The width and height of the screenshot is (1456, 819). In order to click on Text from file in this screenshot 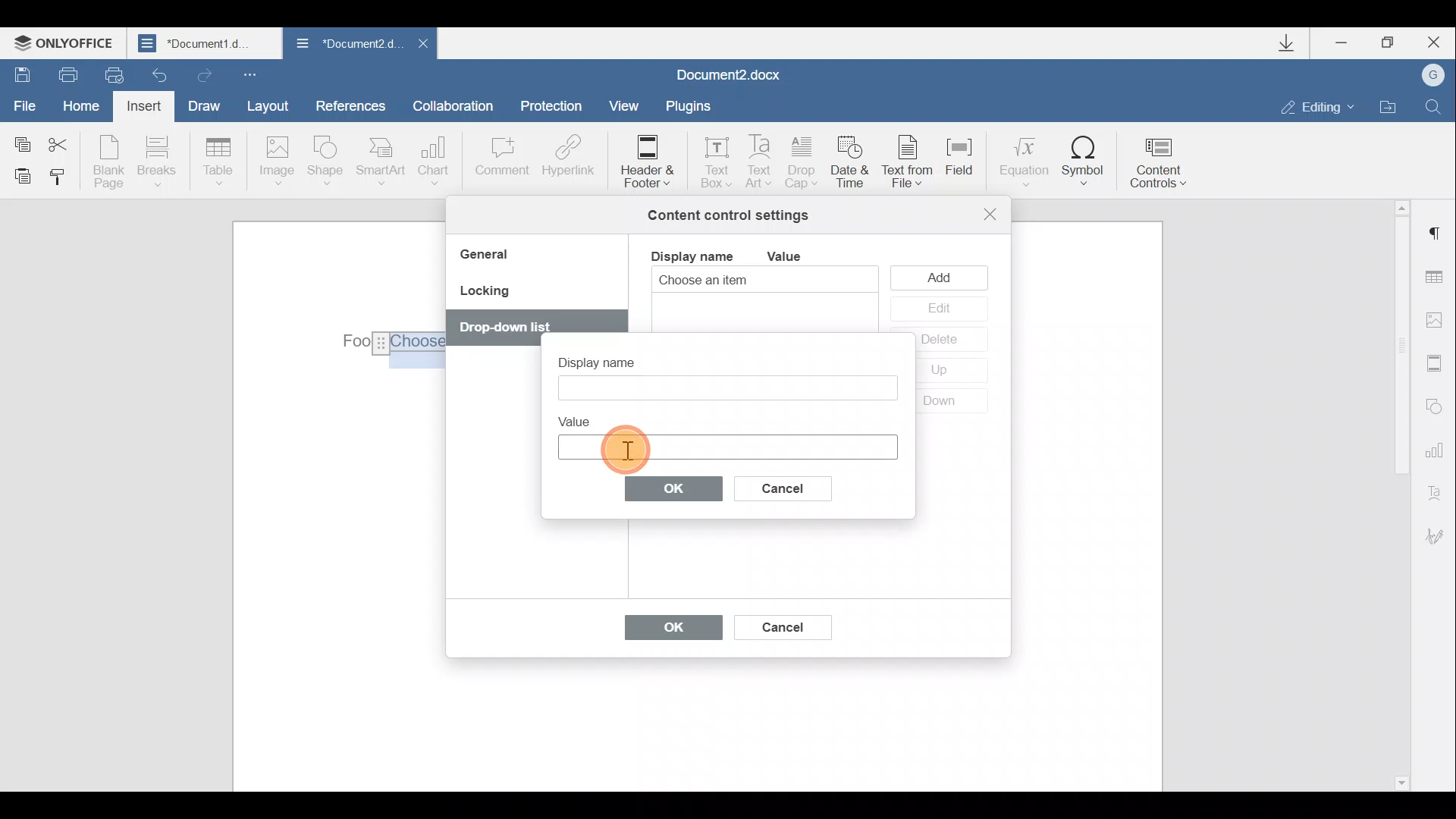, I will do `click(912, 163)`.